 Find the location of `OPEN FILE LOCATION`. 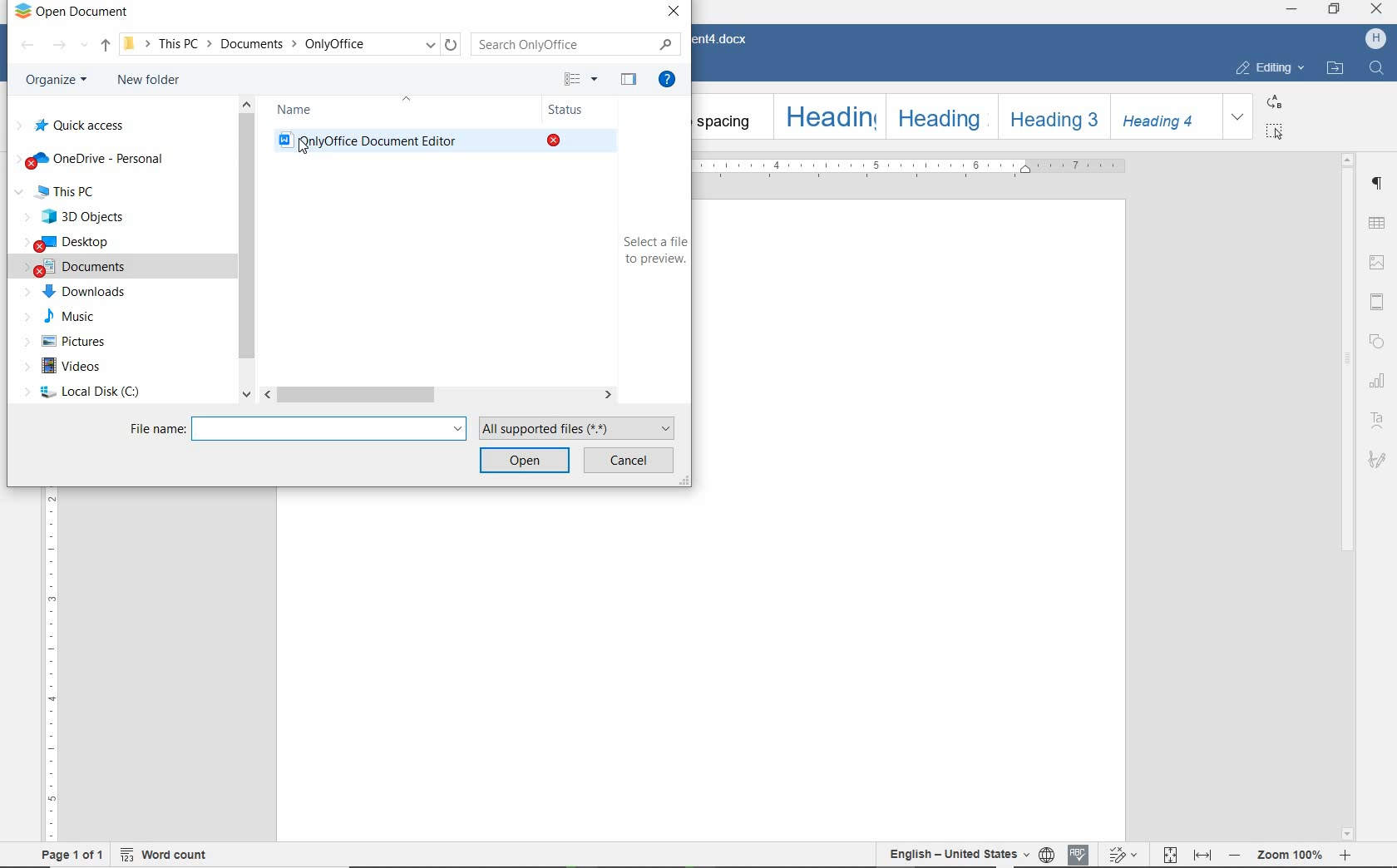

OPEN FILE LOCATION is located at coordinates (1336, 67).